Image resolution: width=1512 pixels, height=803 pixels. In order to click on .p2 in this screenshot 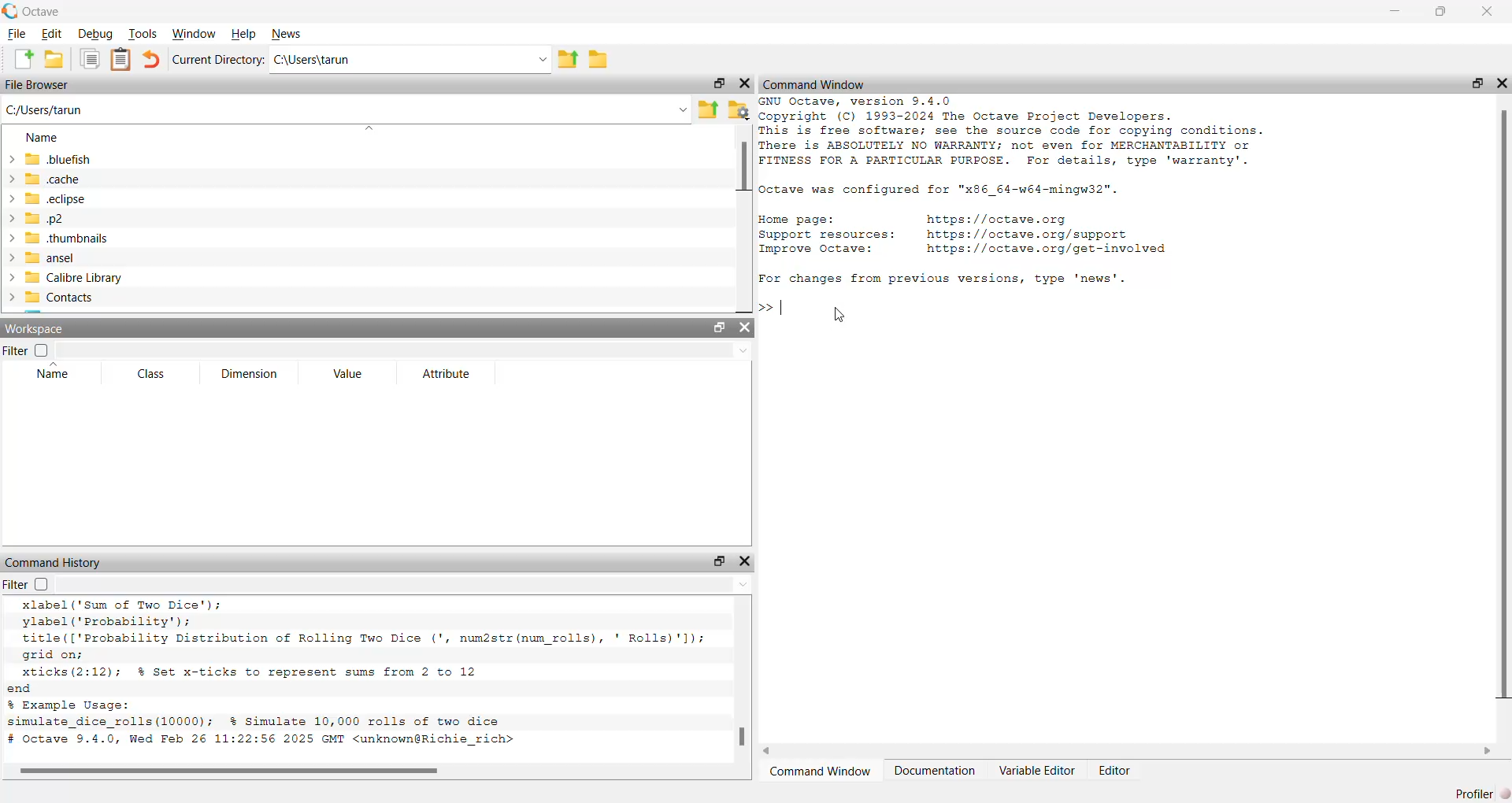, I will do `click(36, 220)`.